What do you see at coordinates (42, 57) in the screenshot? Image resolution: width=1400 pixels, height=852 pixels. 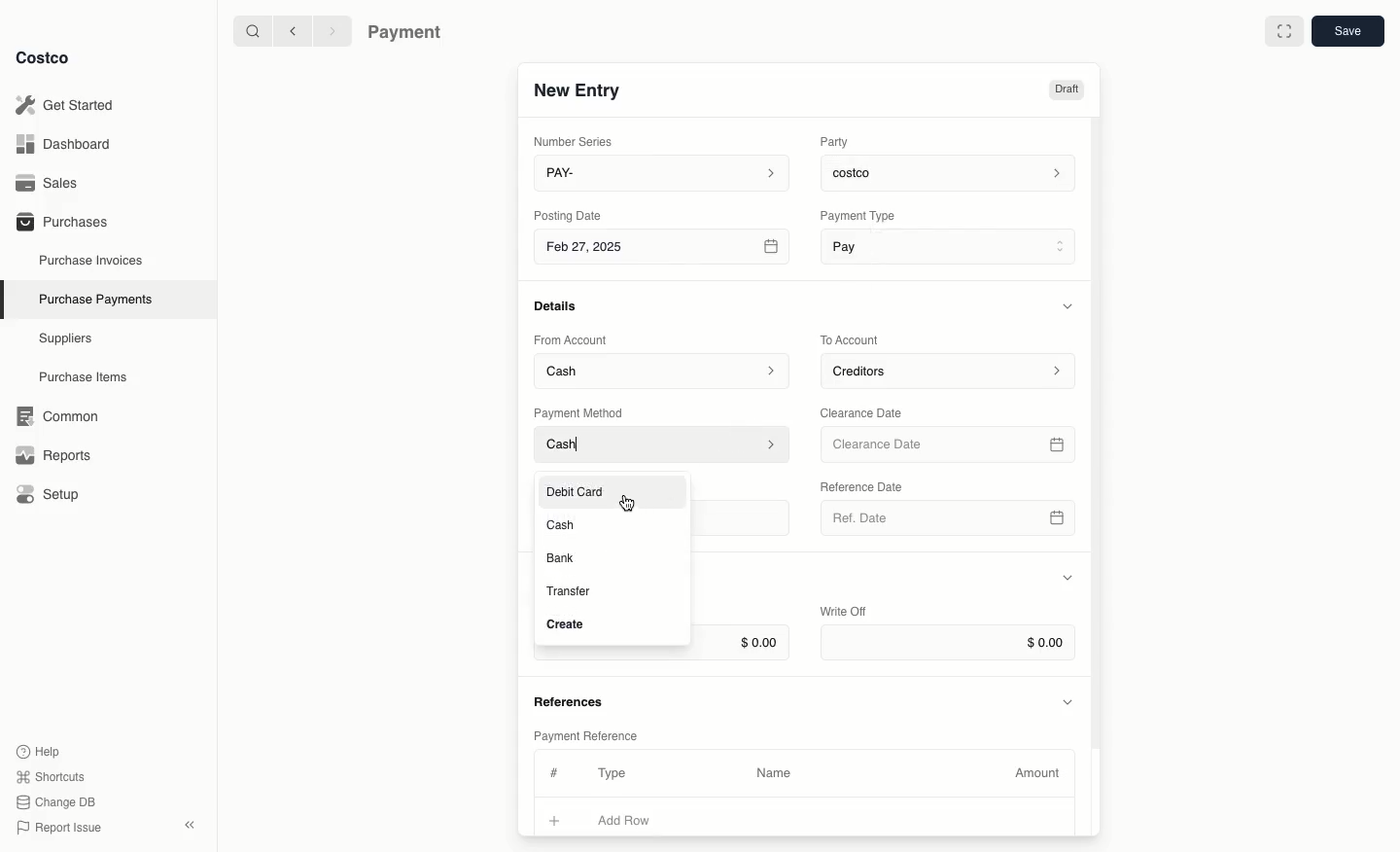 I see `Costco` at bounding box center [42, 57].